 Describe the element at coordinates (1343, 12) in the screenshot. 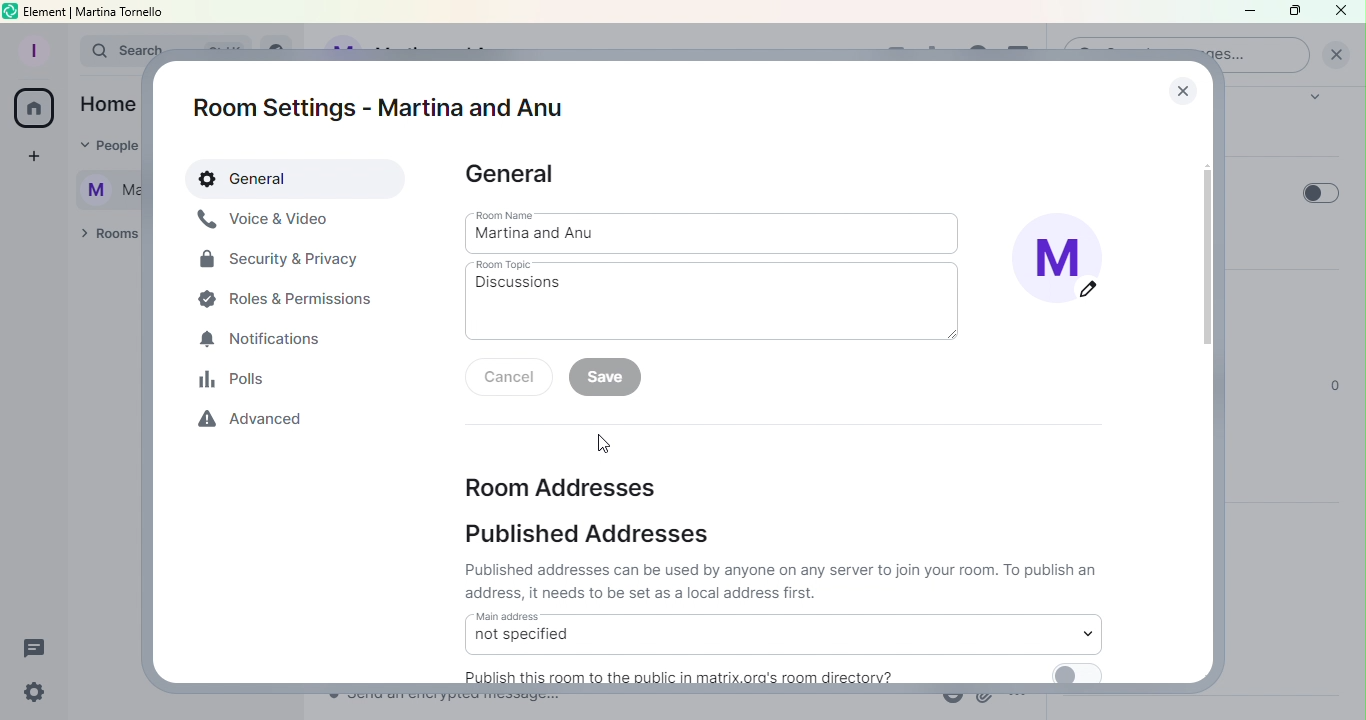

I see `Close` at that location.